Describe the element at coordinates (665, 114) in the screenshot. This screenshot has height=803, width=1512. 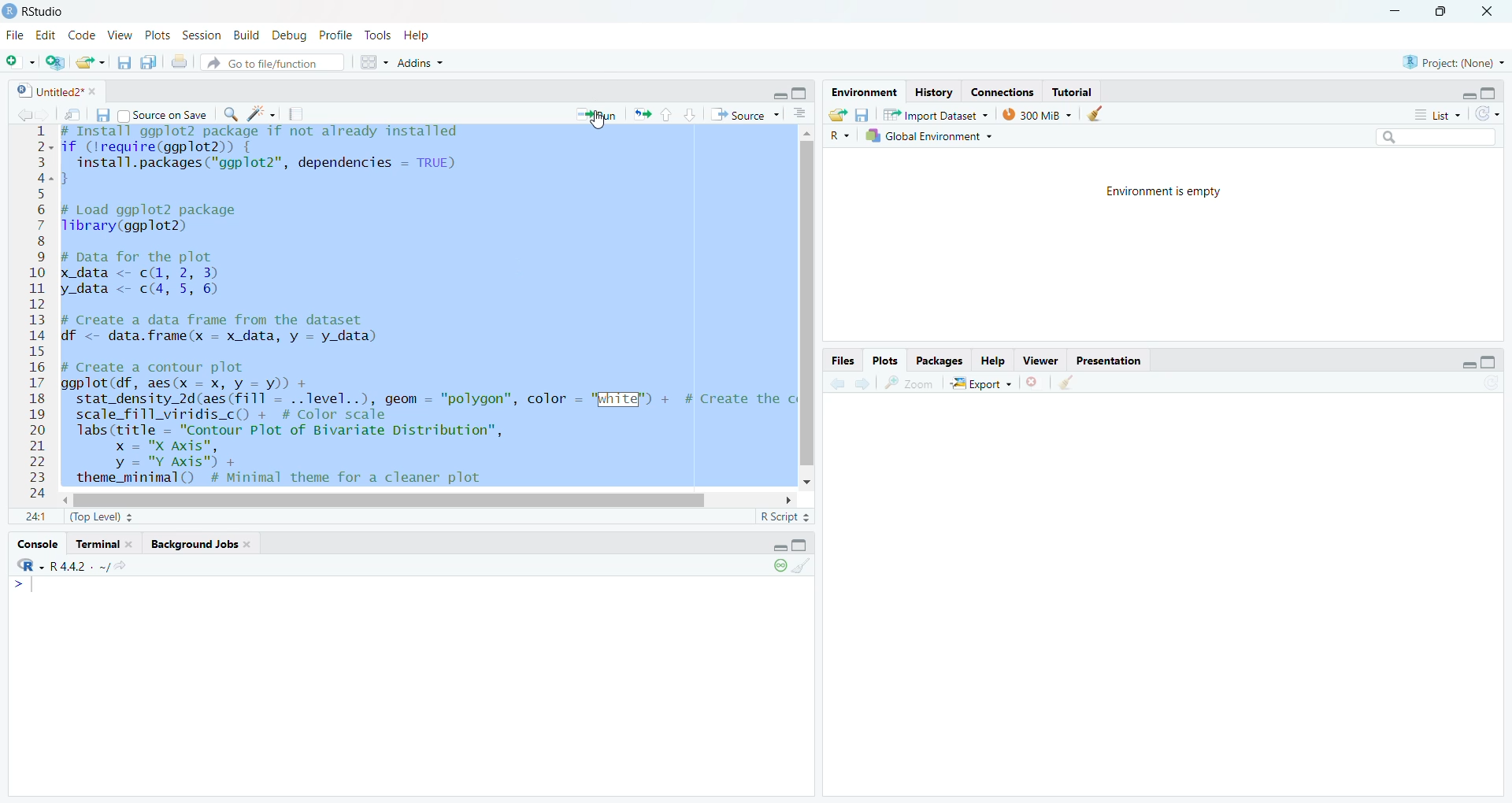
I see `go to previous section/chunk` at that location.